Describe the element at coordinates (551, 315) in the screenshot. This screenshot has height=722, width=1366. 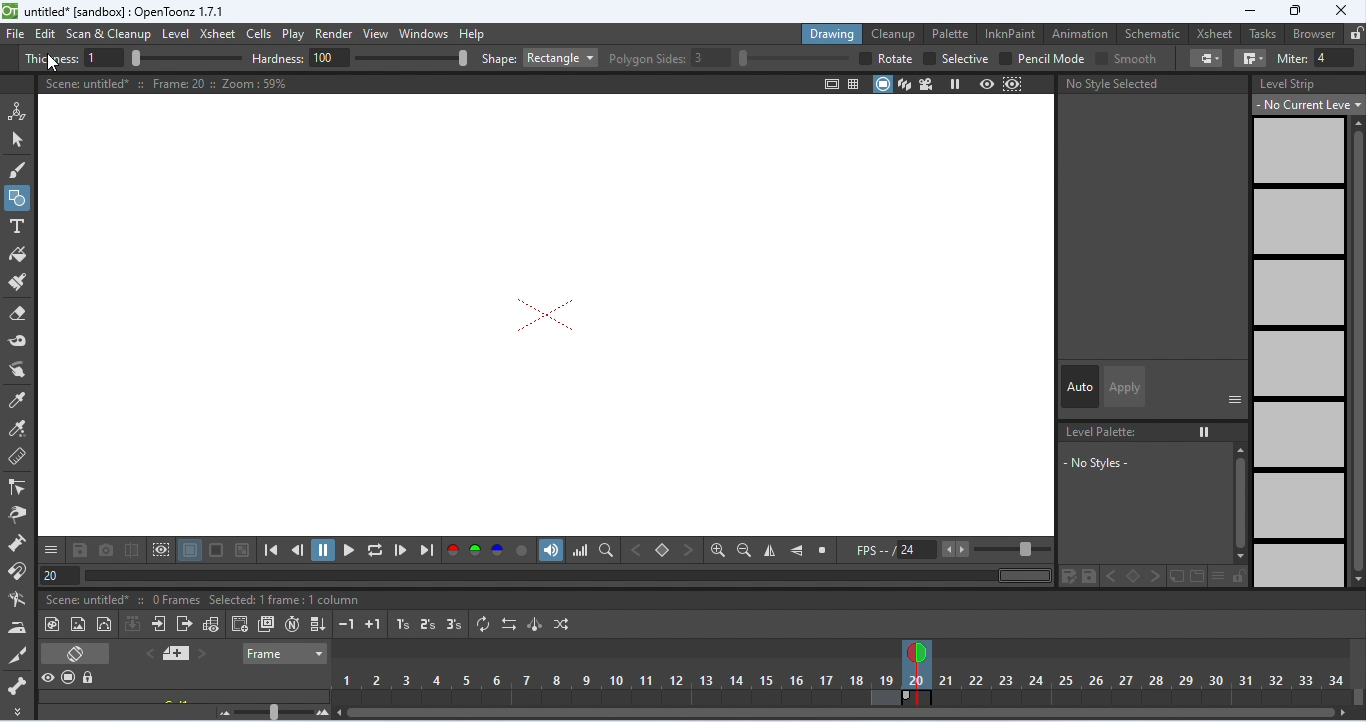
I see `rectangle shape removed after undo action` at that location.